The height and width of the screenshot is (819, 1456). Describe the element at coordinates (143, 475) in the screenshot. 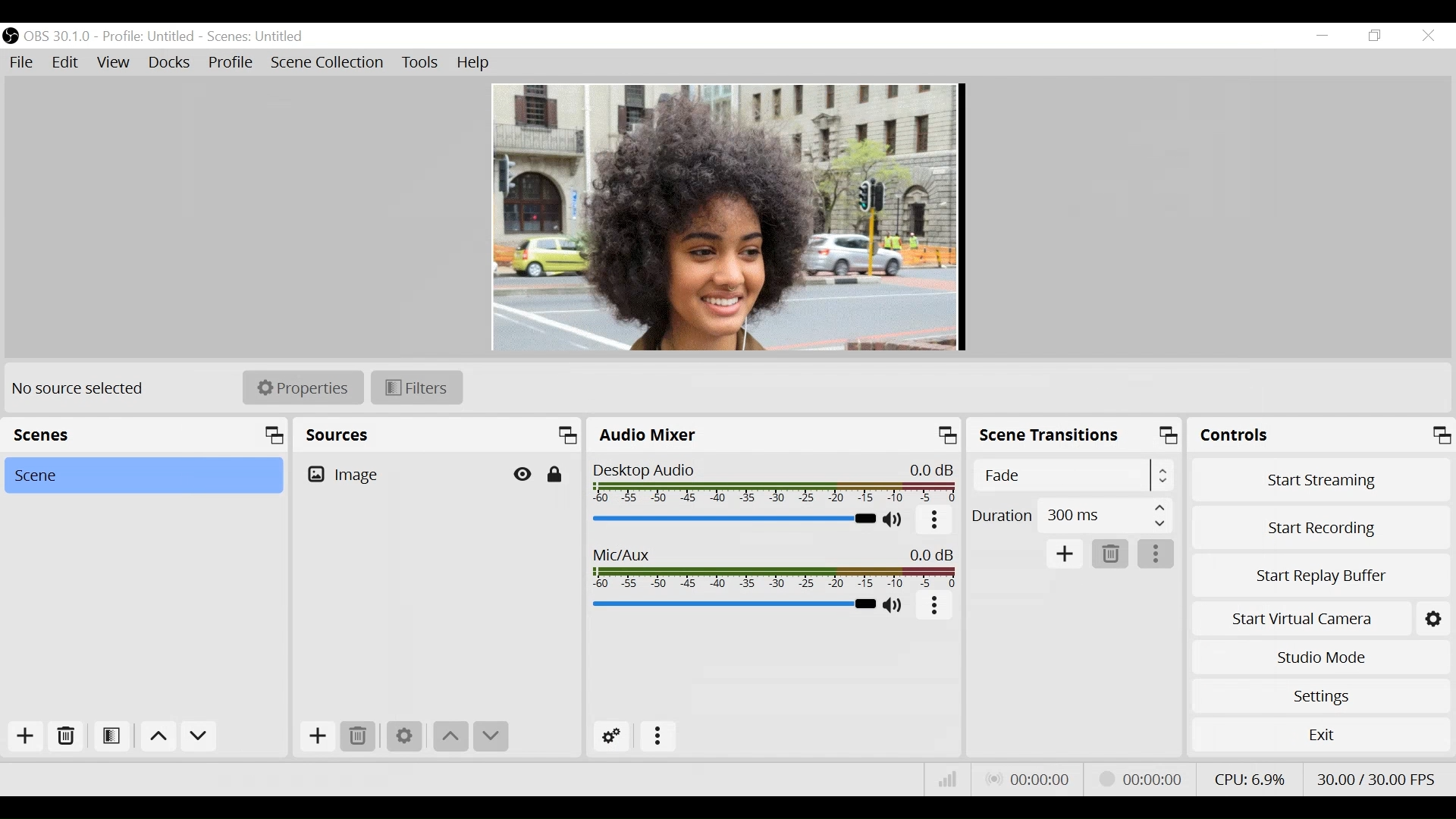

I see `Scene ` at that location.